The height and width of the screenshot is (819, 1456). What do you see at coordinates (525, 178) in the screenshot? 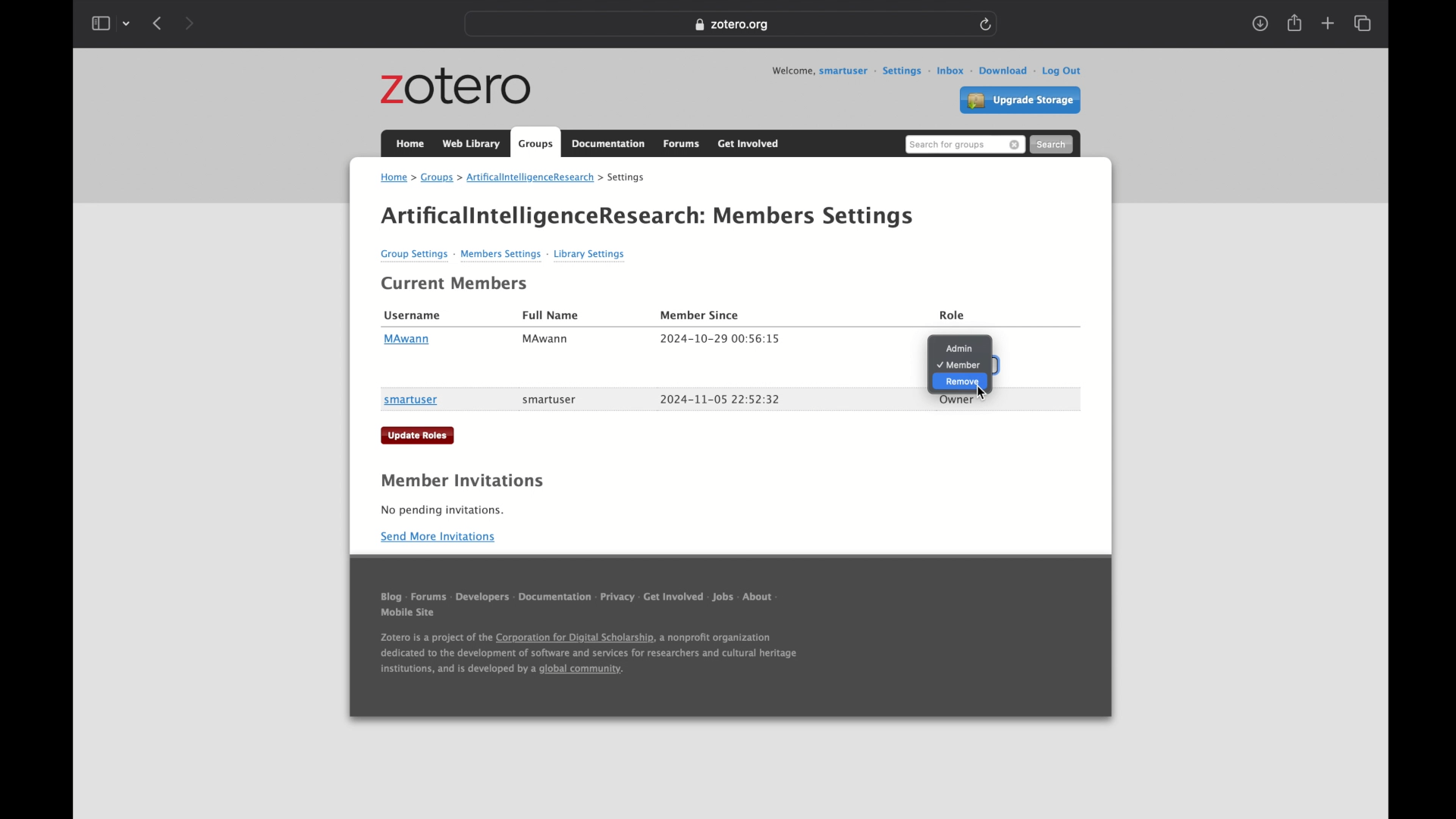
I see `artificialintelligenceresearch` at bounding box center [525, 178].